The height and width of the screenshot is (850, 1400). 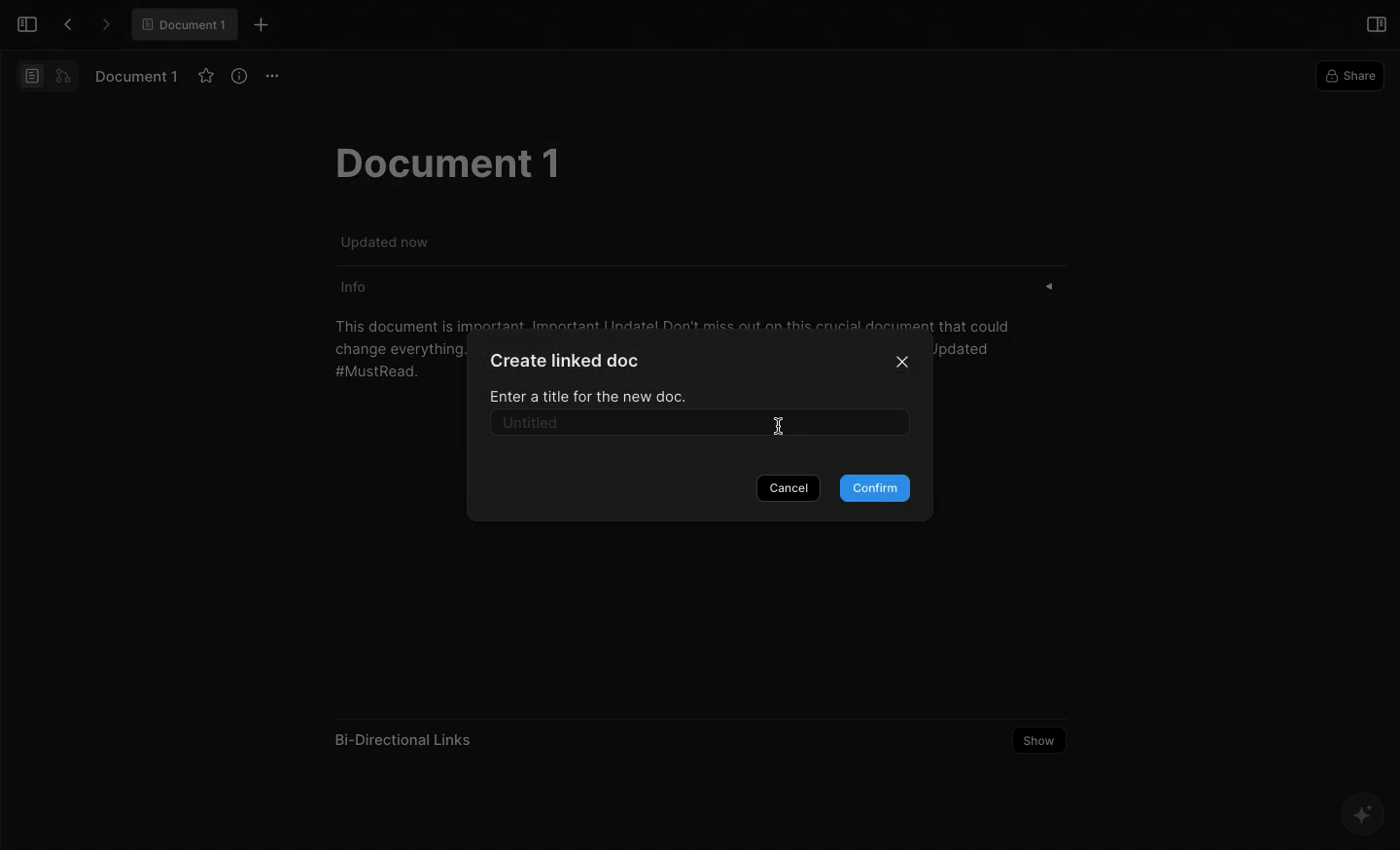 What do you see at coordinates (139, 76) in the screenshot?
I see `Document 1` at bounding box center [139, 76].